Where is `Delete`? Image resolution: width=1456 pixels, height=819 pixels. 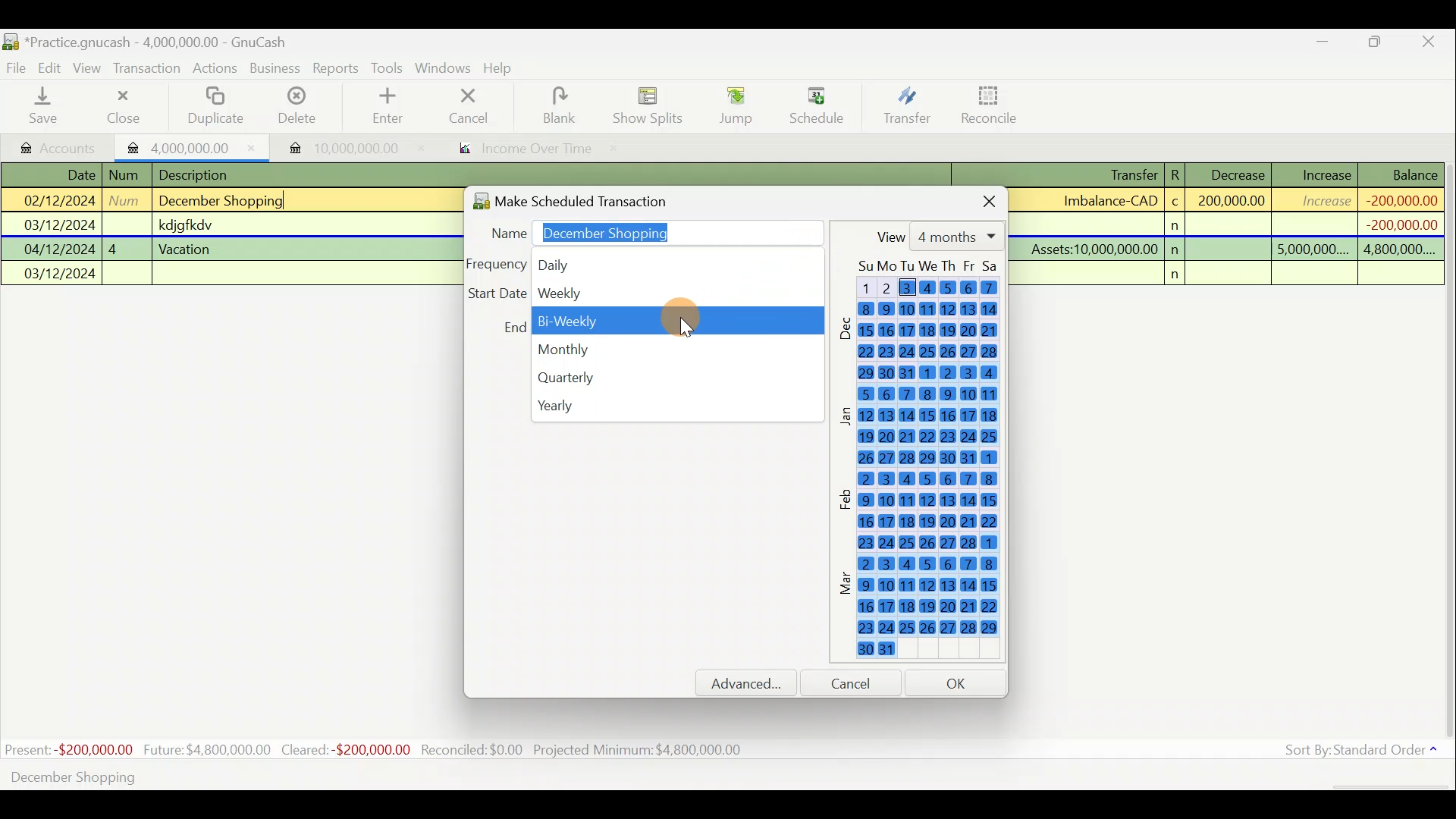
Delete is located at coordinates (295, 111).